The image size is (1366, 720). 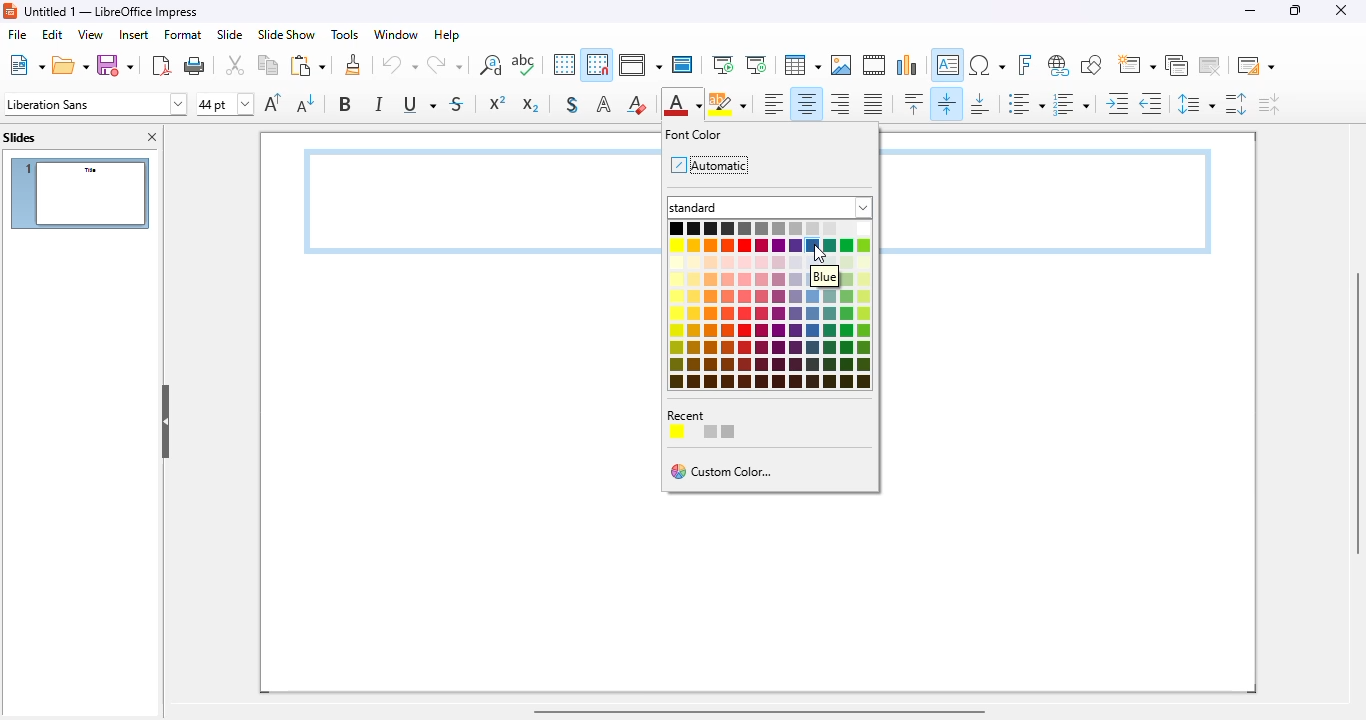 I want to click on tools, so click(x=345, y=35).